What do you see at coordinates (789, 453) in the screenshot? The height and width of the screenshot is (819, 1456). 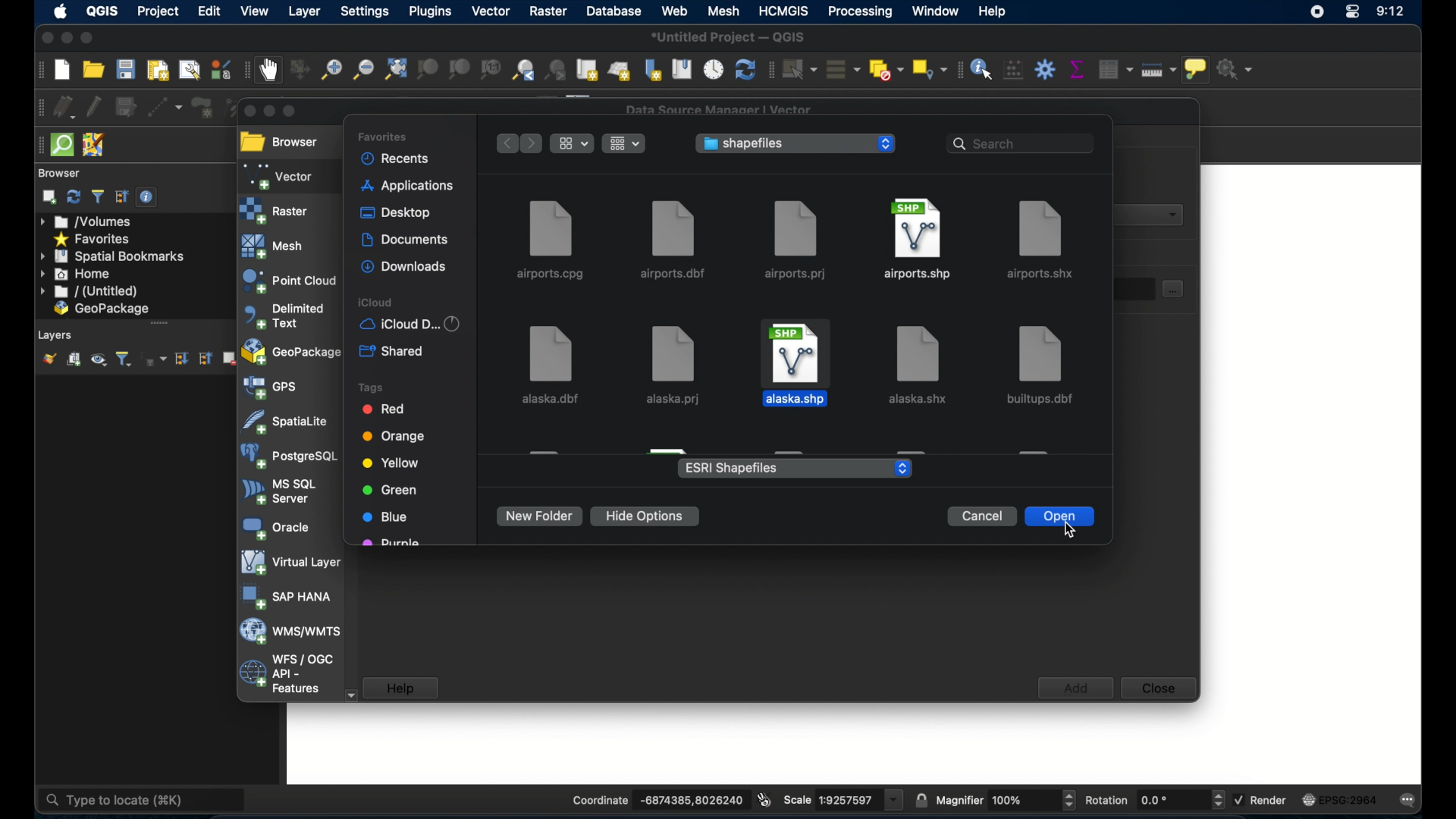 I see `obscured file` at bounding box center [789, 453].